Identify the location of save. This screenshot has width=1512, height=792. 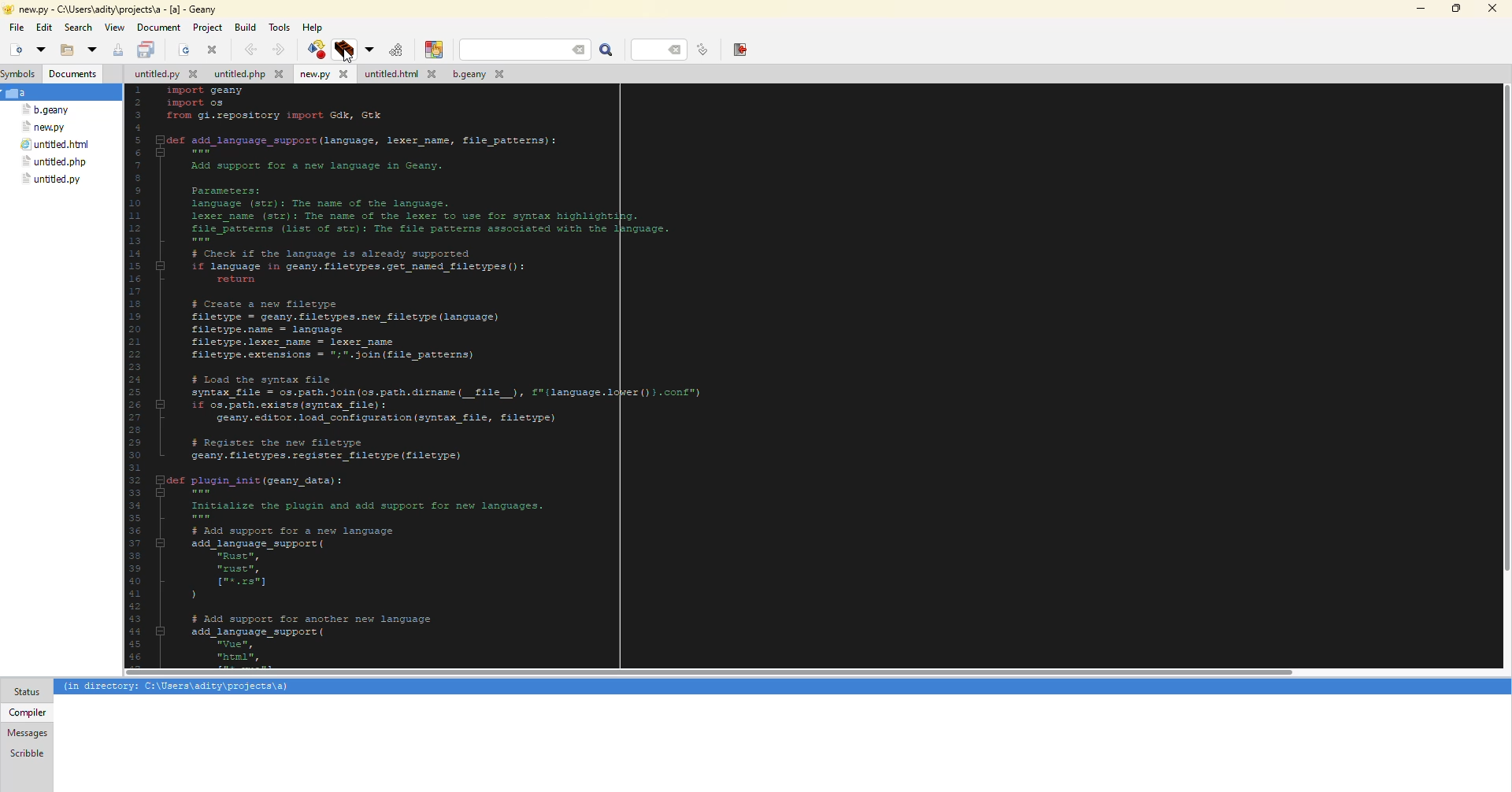
(146, 50).